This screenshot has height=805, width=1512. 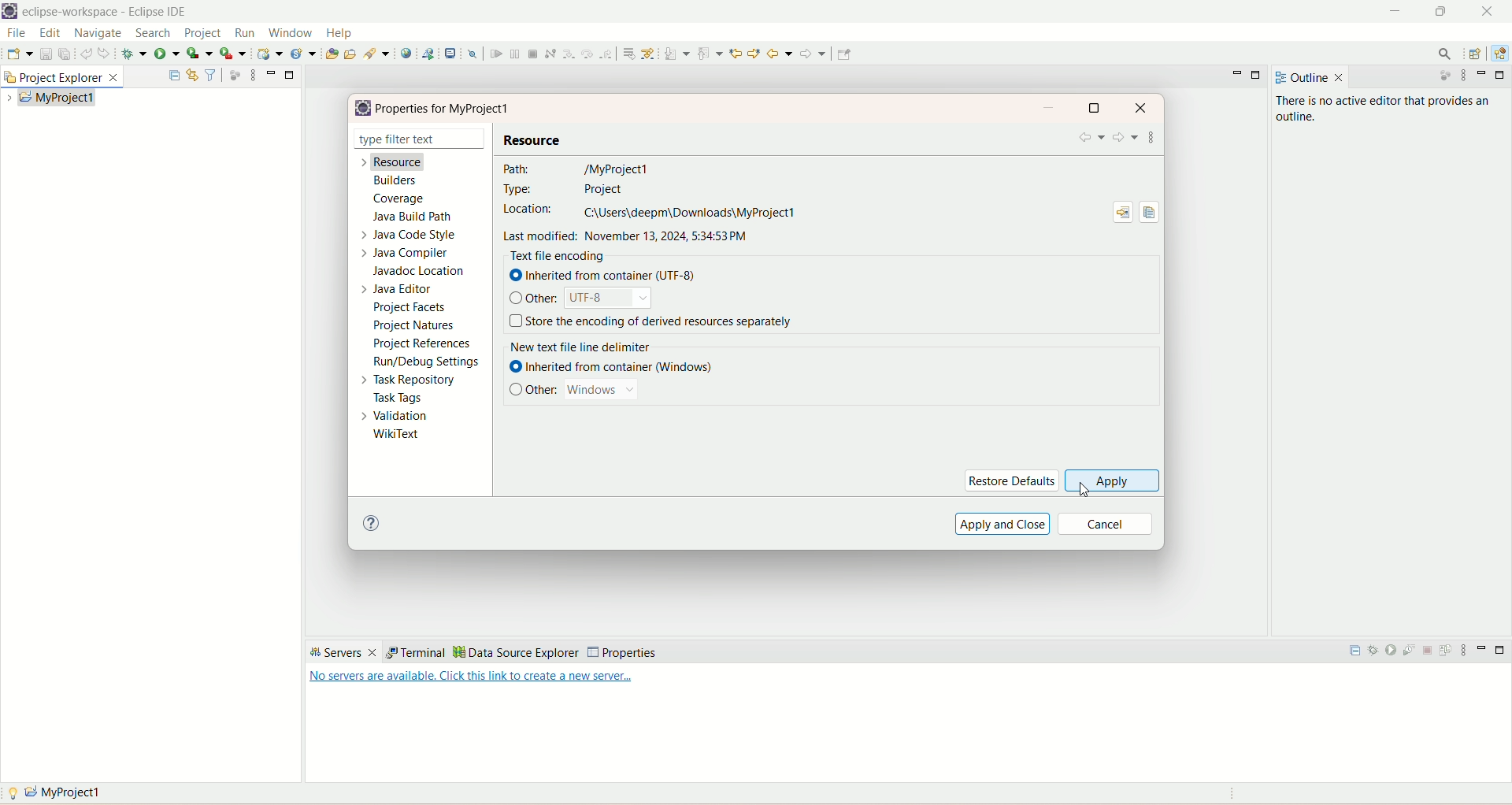 What do you see at coordinates (623, 369) in the screenshot?
I see `inherited from container` at bounding box center [623, 369].